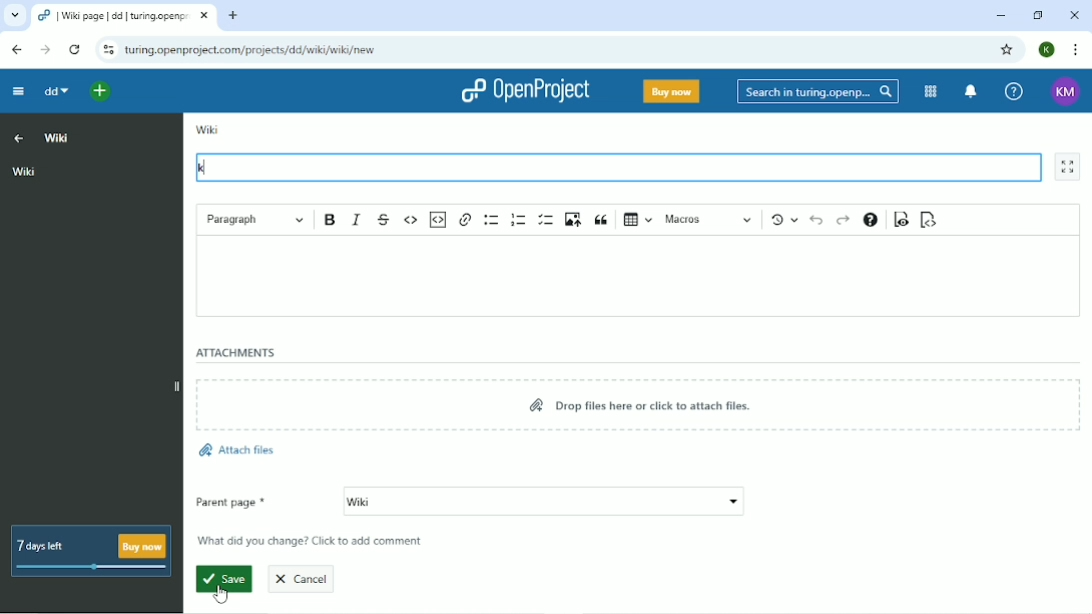  What do you see at coordinates (519, 220) in the screenshot?
I see `Numbered list` at bounding box center [519, 220].